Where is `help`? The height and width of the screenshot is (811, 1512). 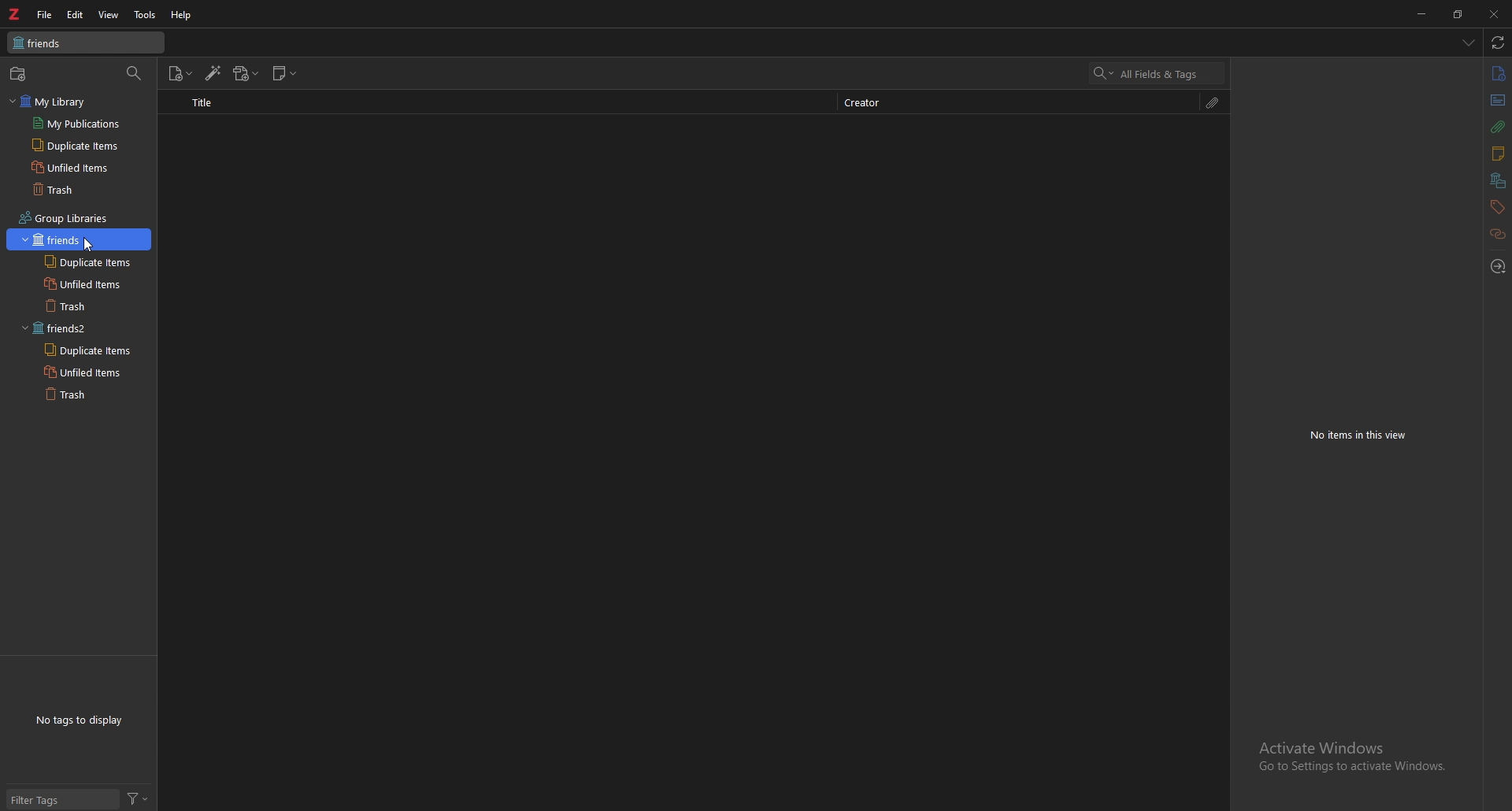 help is located at coordinates (182, 14).